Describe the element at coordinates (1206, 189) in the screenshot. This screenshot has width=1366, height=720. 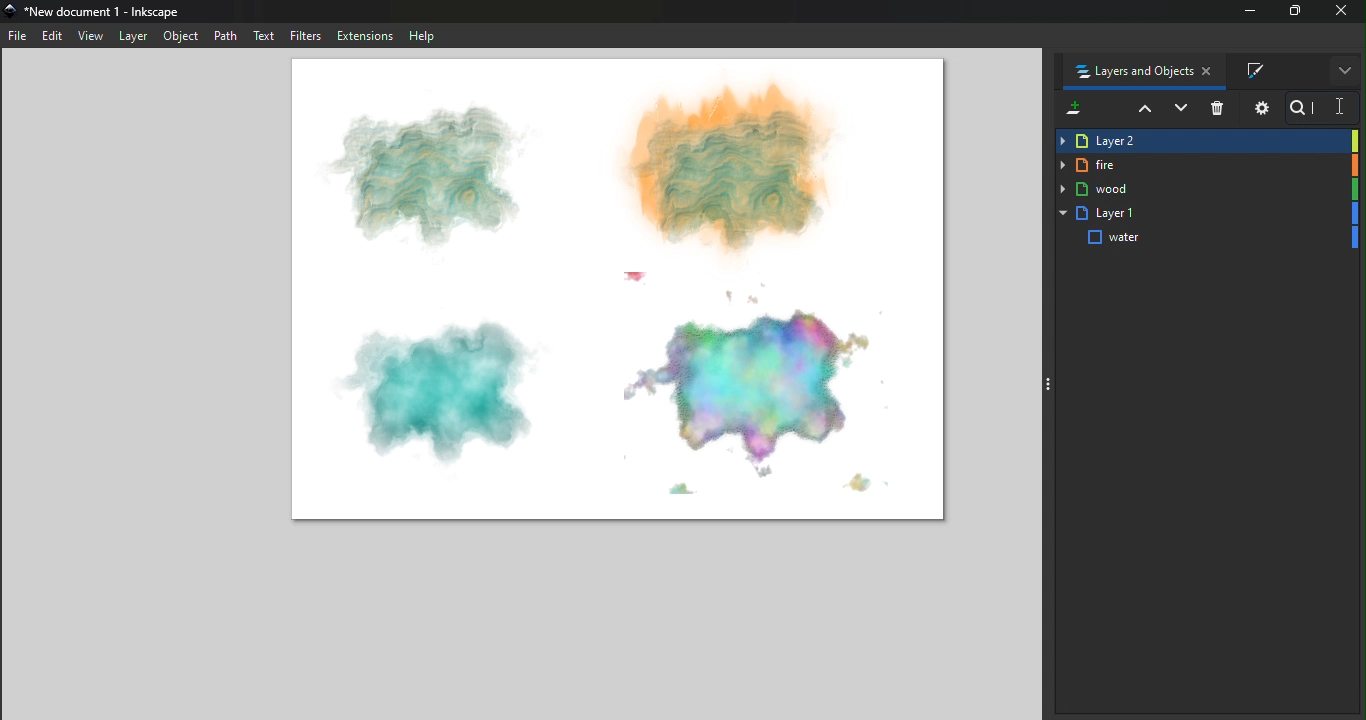
I see `wood Layer` at that location.